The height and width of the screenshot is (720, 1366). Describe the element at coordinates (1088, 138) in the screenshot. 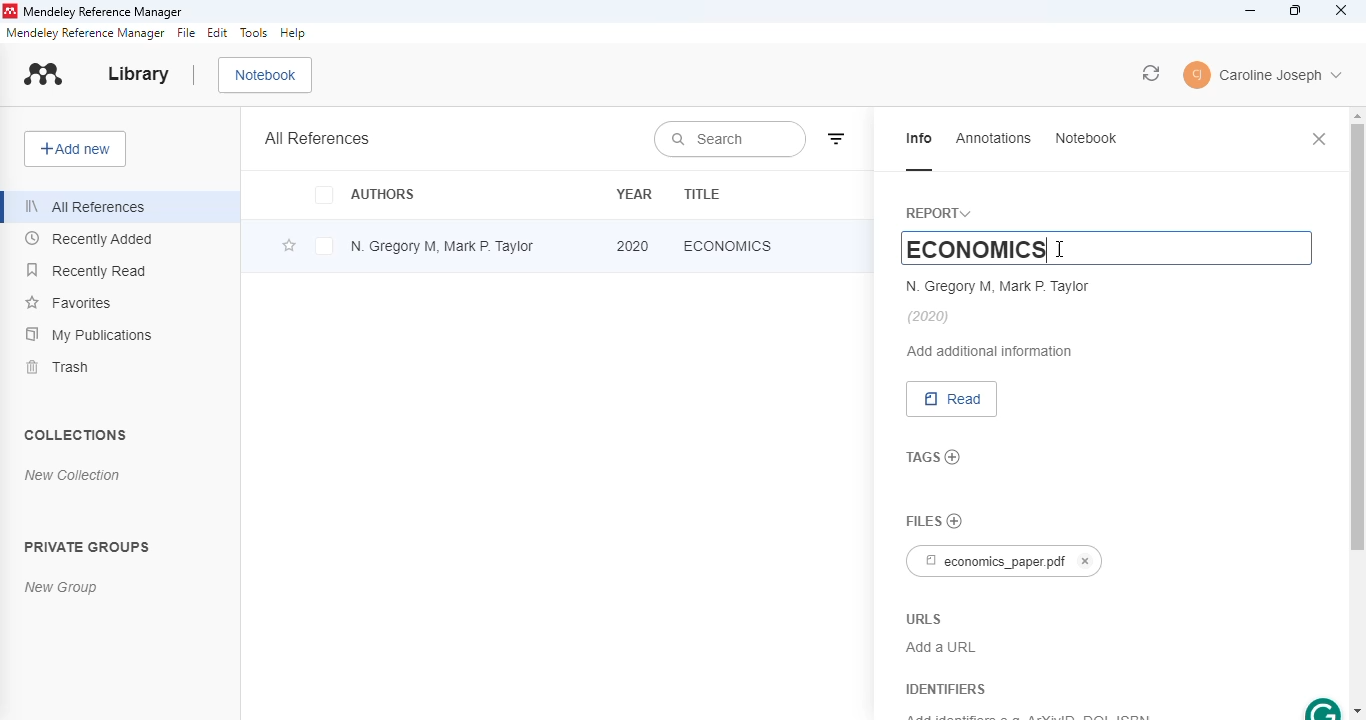

I see `notebook` at that location.